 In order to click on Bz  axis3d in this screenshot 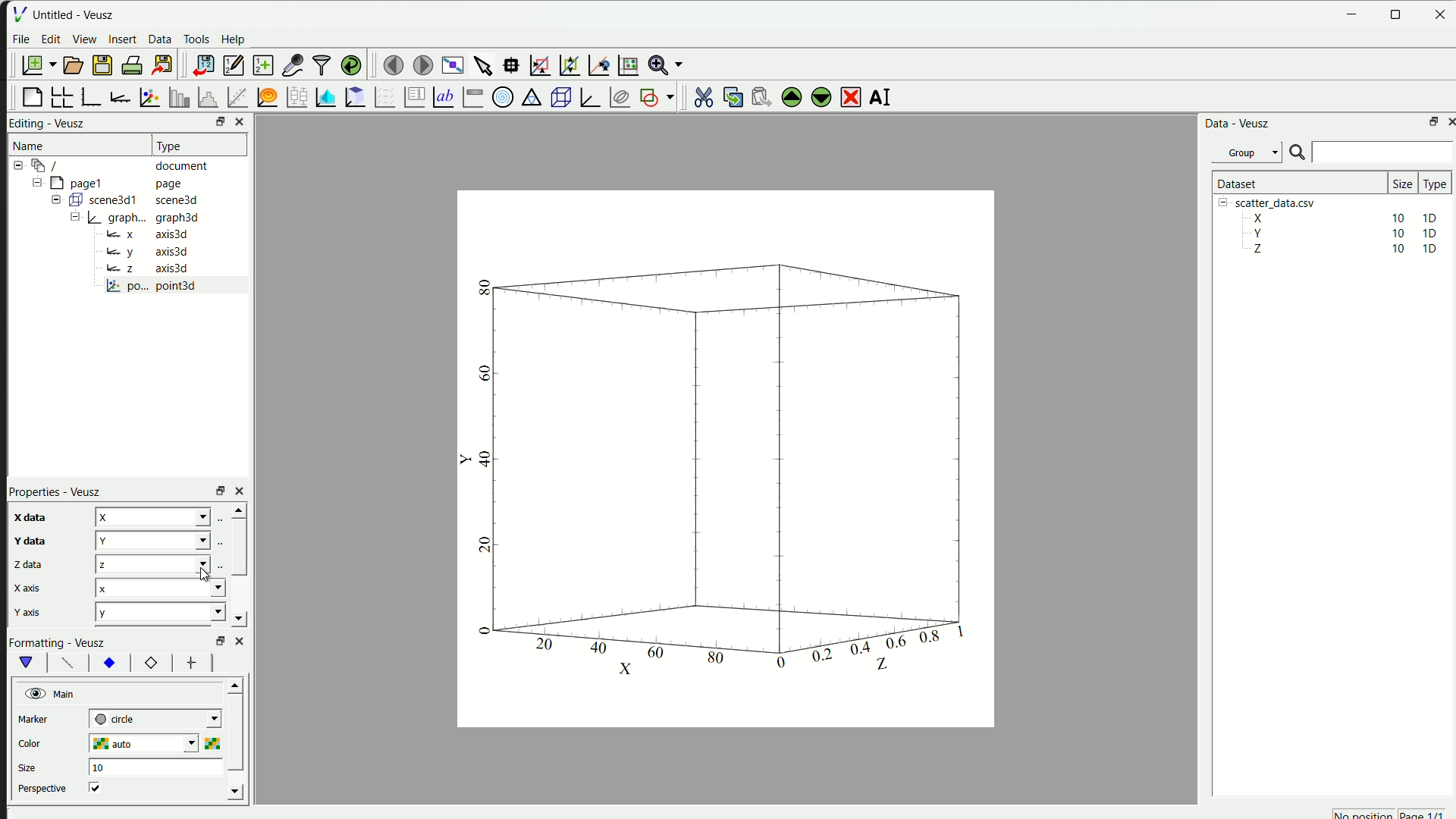, I will do `click(144, 268)`.